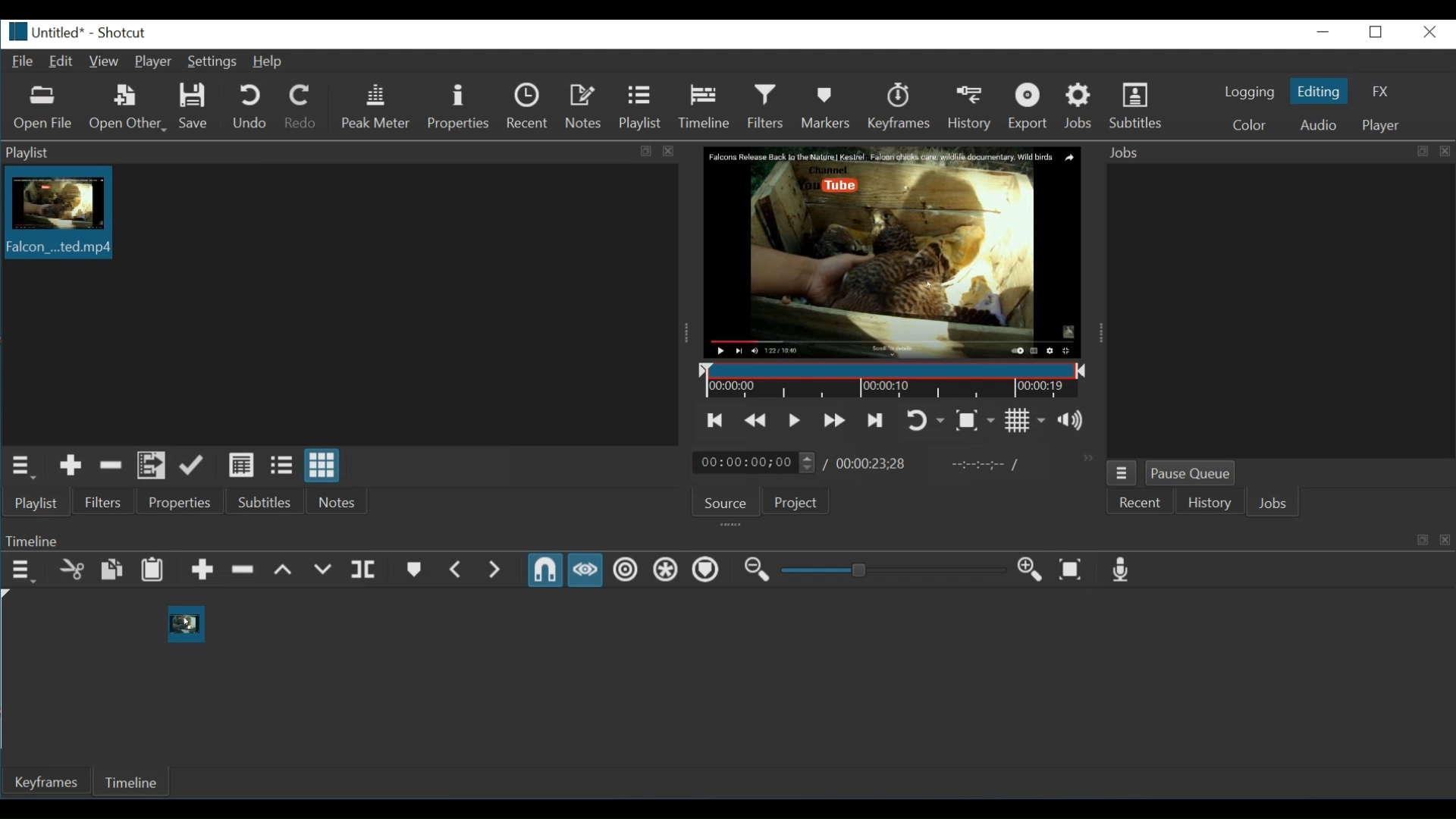 The height and width of the screenshot is (819, 1456). Describe the element at coordinates (973, 106) in the screenshot. I see `History` at that location.